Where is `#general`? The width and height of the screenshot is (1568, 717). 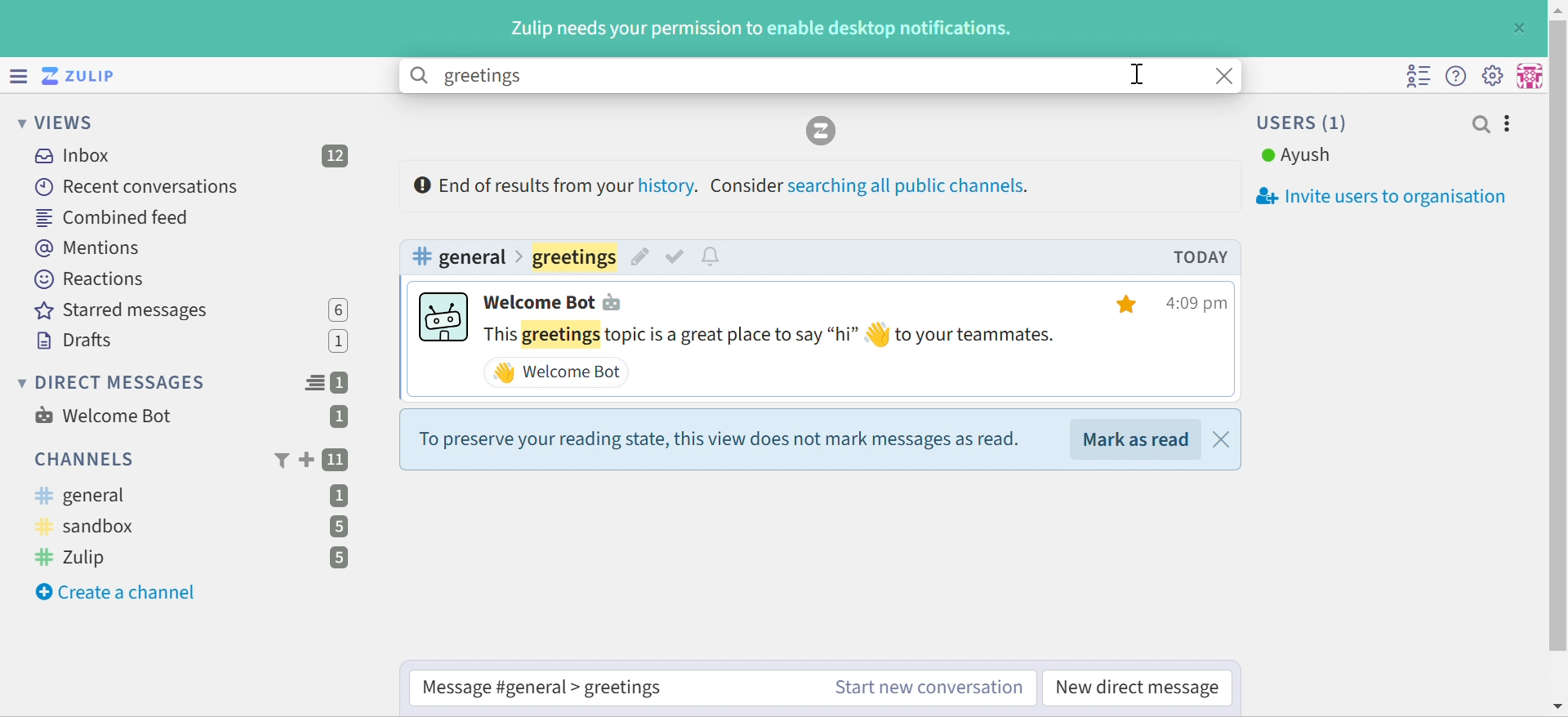 #general is located at coordinates (81, 496).